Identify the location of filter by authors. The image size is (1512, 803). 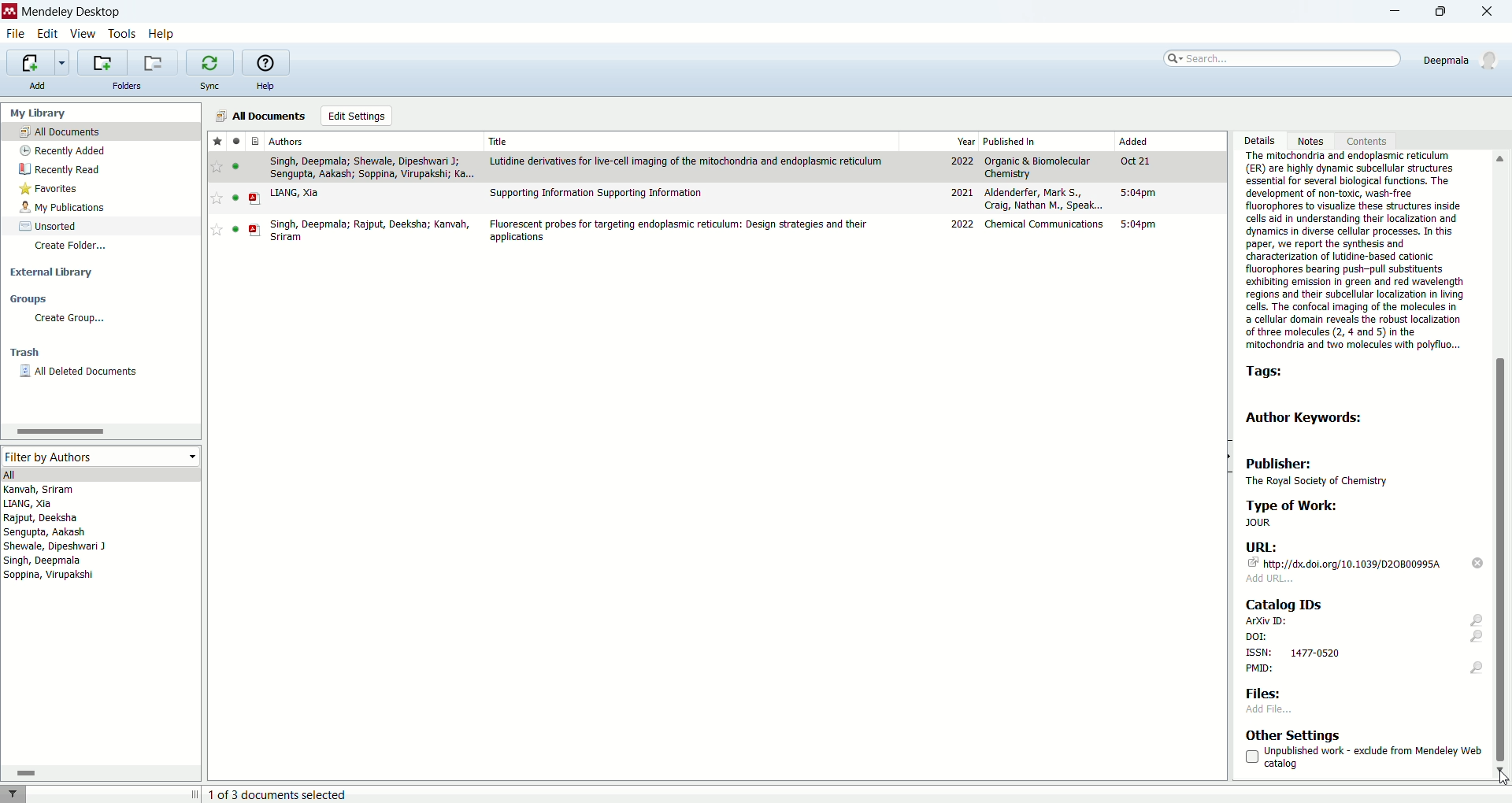
(98, 456).